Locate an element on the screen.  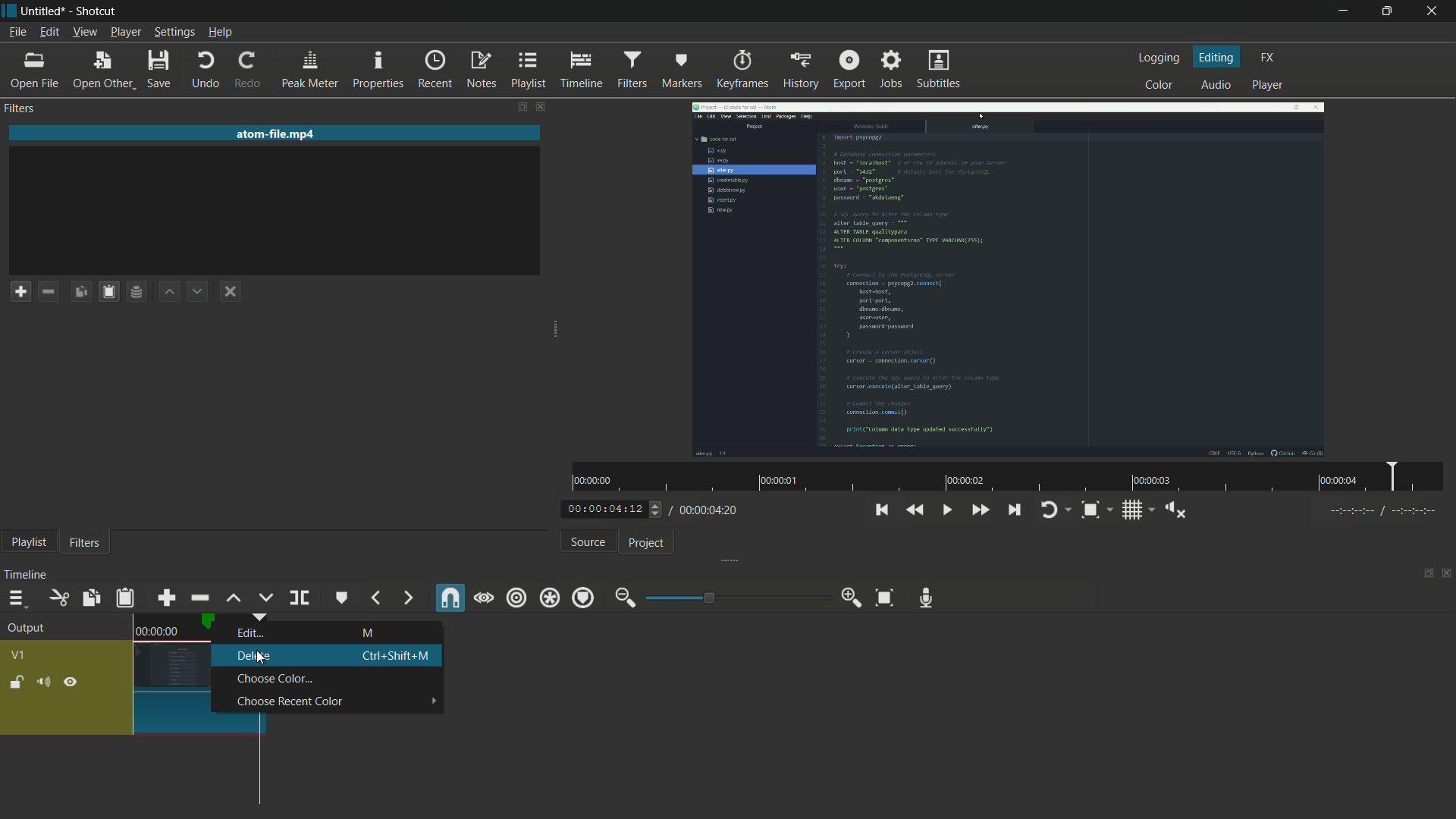
edit is located at coordinates (252, 634).